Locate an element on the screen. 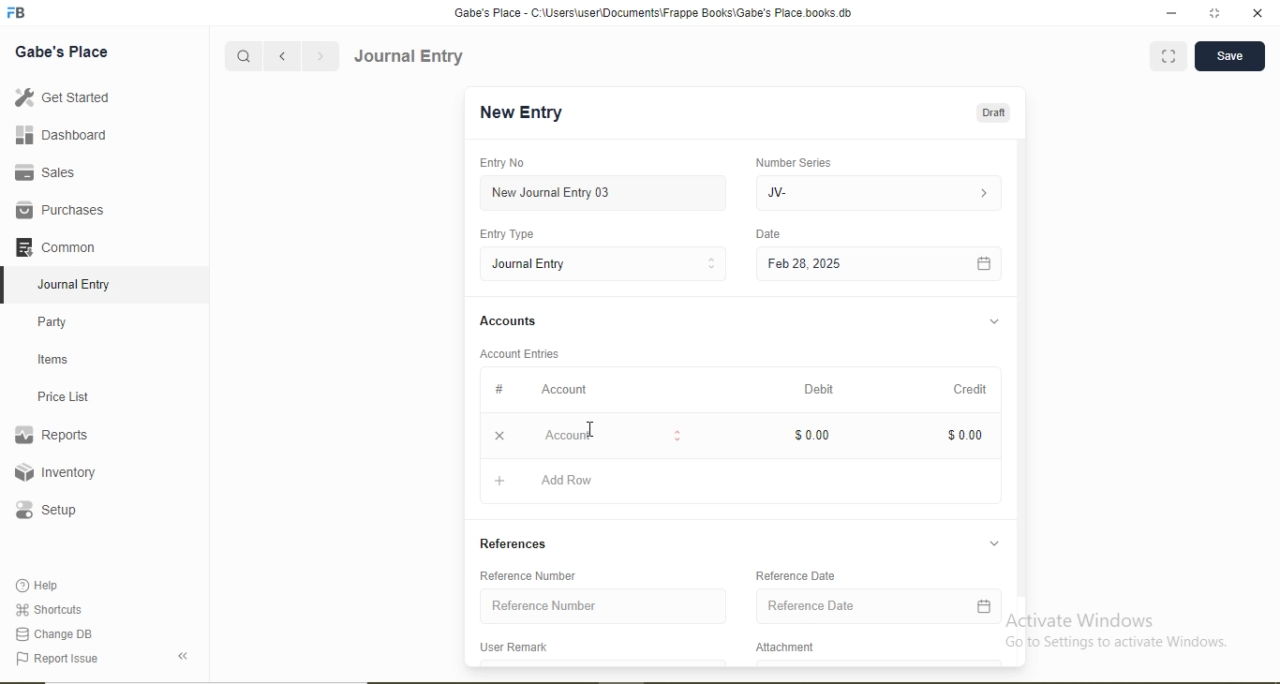 Image resolution: width=1280 pixels, height=684 pixels. Account Entries is located at coordinates (518, 354).